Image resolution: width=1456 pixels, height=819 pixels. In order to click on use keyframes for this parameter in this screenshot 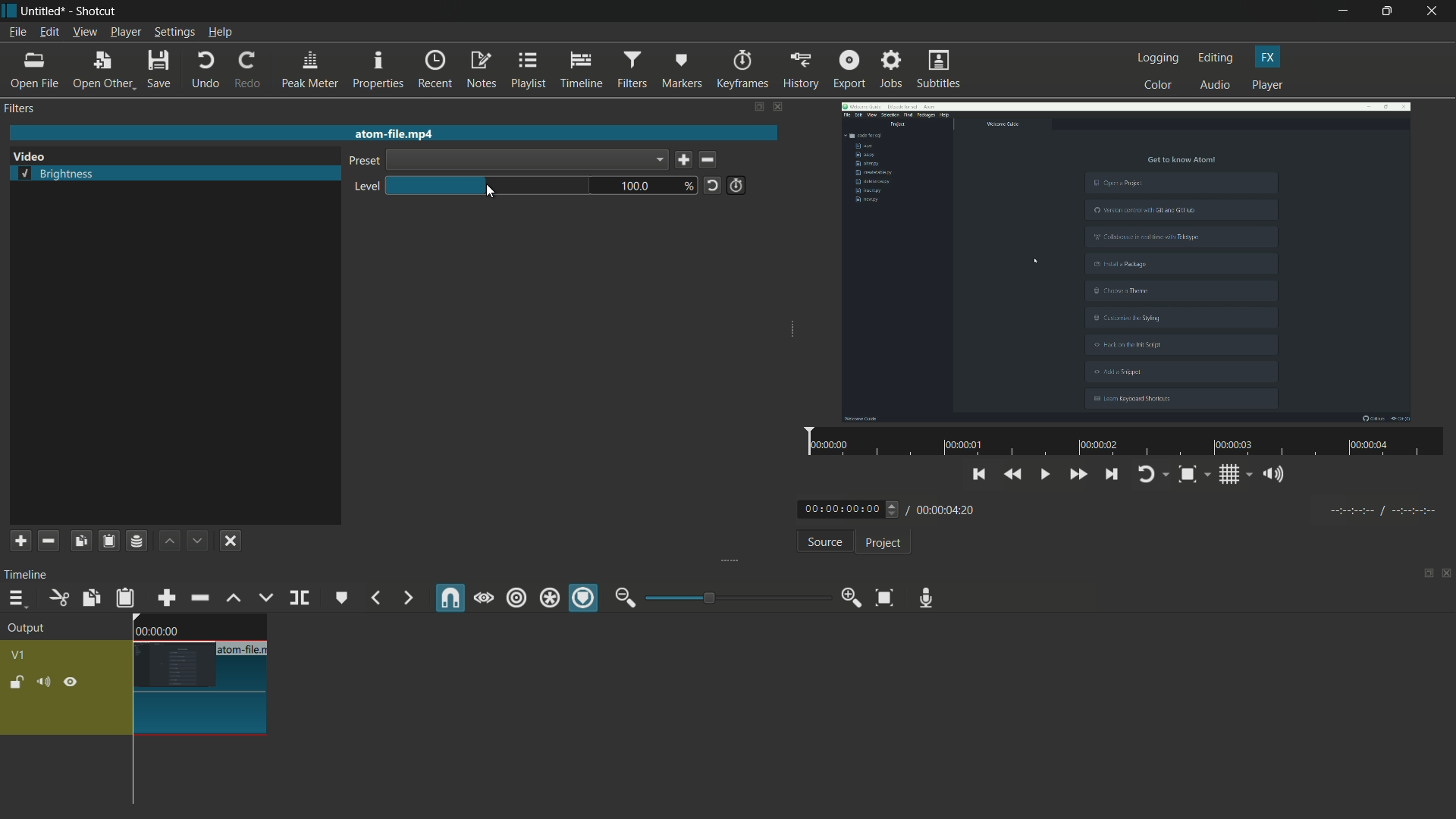, I will do `click(736, 185)`.